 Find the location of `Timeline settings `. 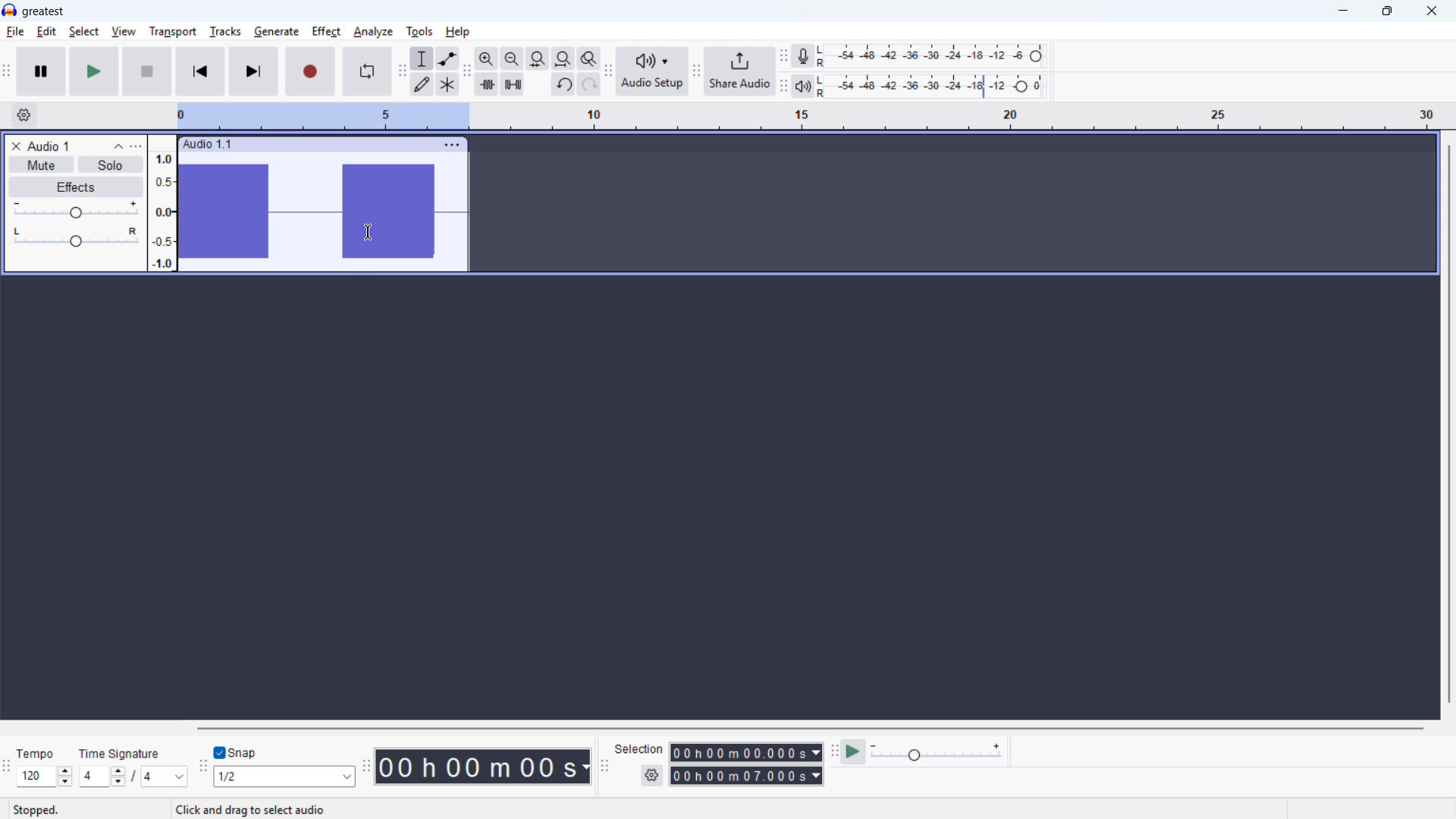

Timeline settings  is located at coordinates (24, 115).